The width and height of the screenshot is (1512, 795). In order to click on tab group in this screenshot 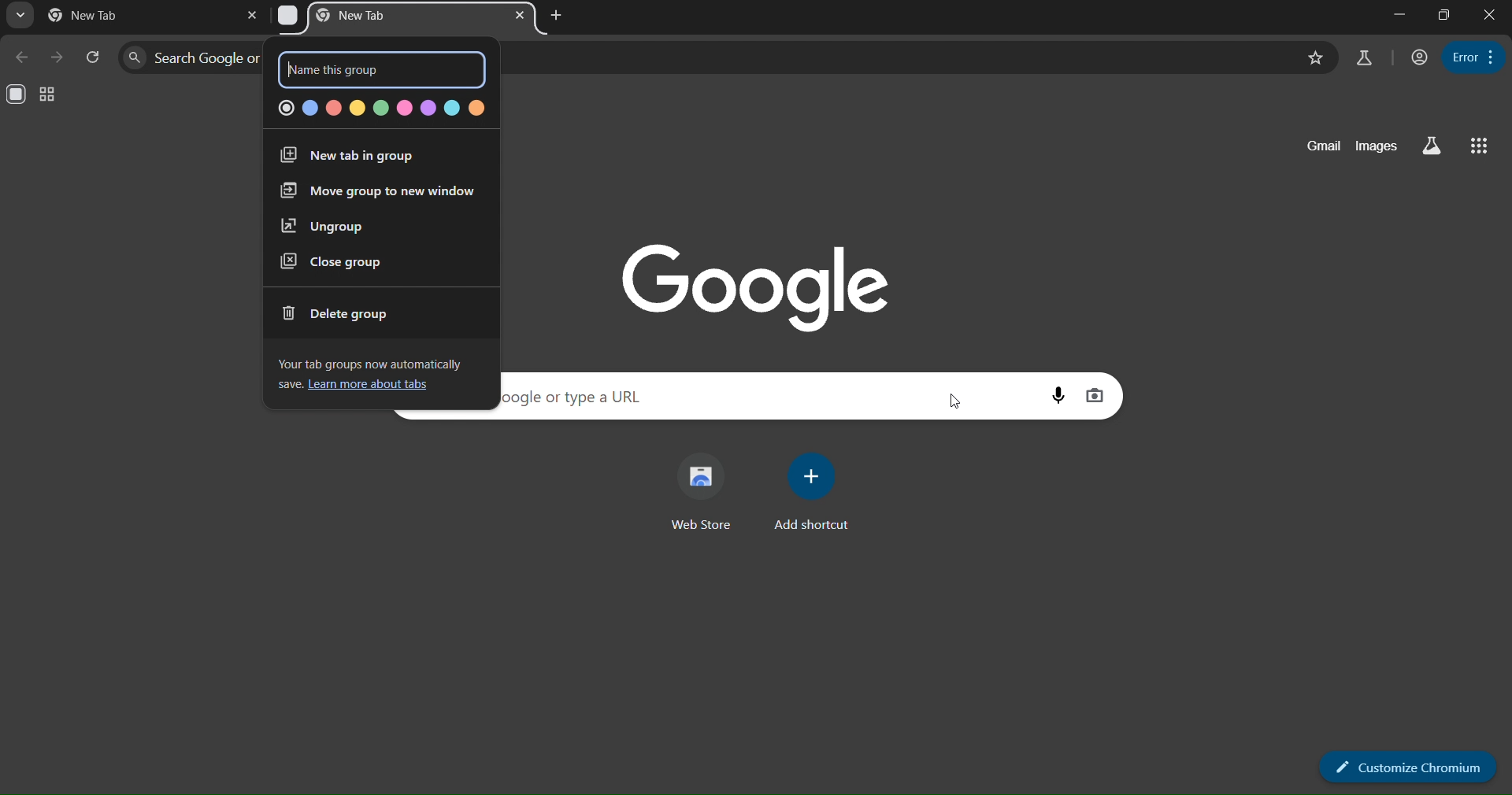, I will do `click(47, 94)`.